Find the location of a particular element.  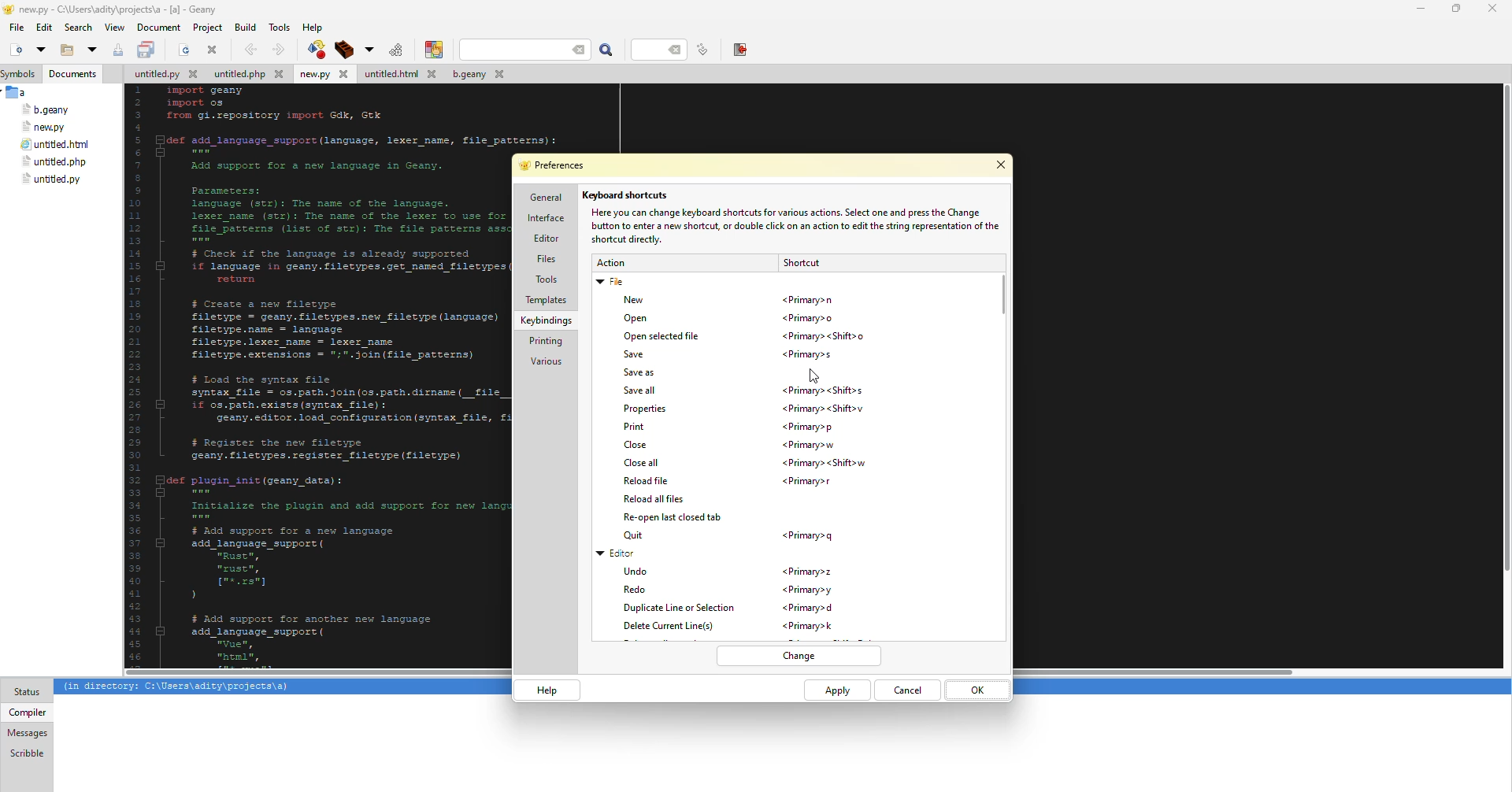

search is located at coordinates (525, 50).